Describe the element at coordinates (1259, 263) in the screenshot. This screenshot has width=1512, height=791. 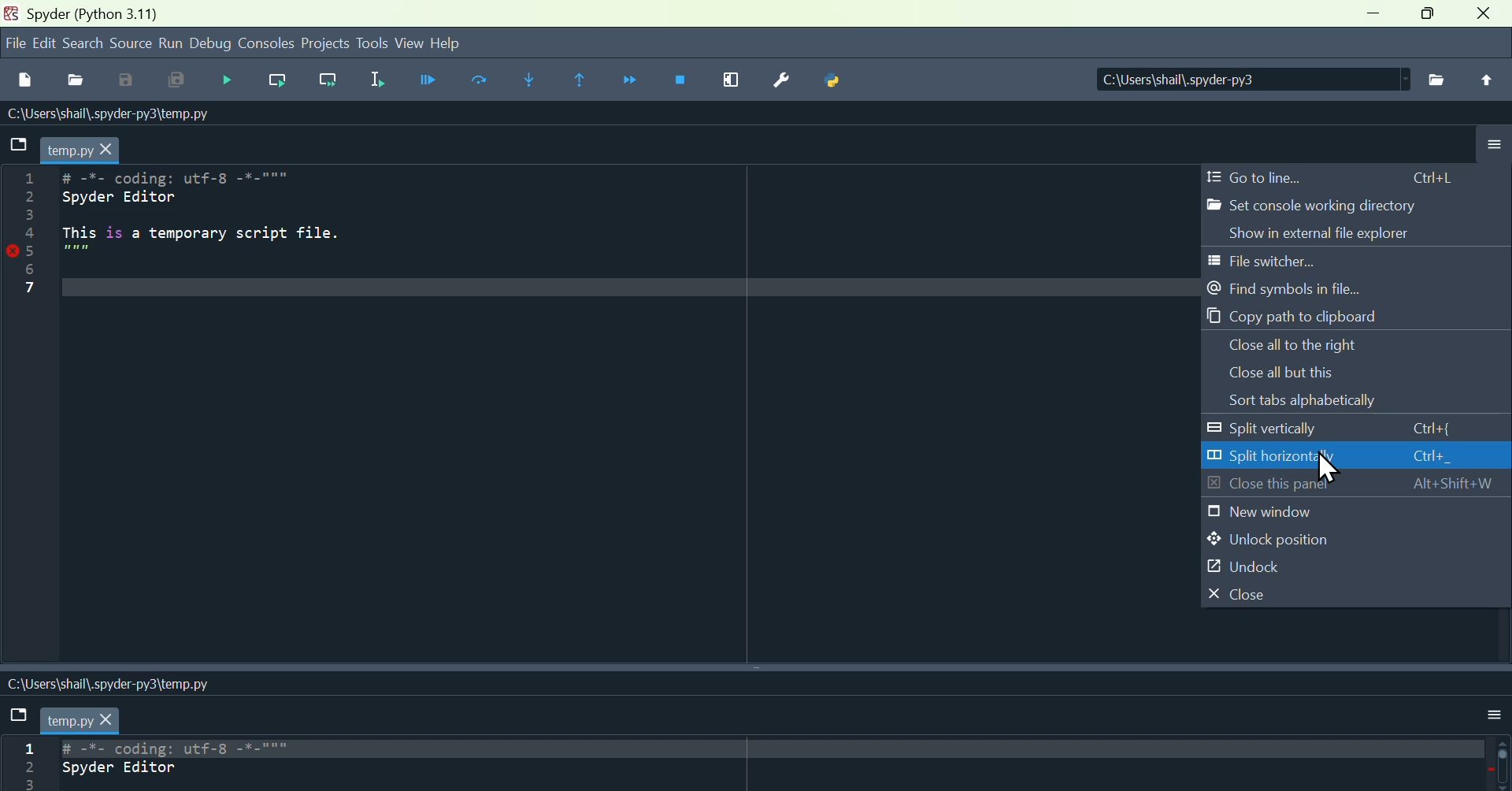
I see `File switcher` at that location.